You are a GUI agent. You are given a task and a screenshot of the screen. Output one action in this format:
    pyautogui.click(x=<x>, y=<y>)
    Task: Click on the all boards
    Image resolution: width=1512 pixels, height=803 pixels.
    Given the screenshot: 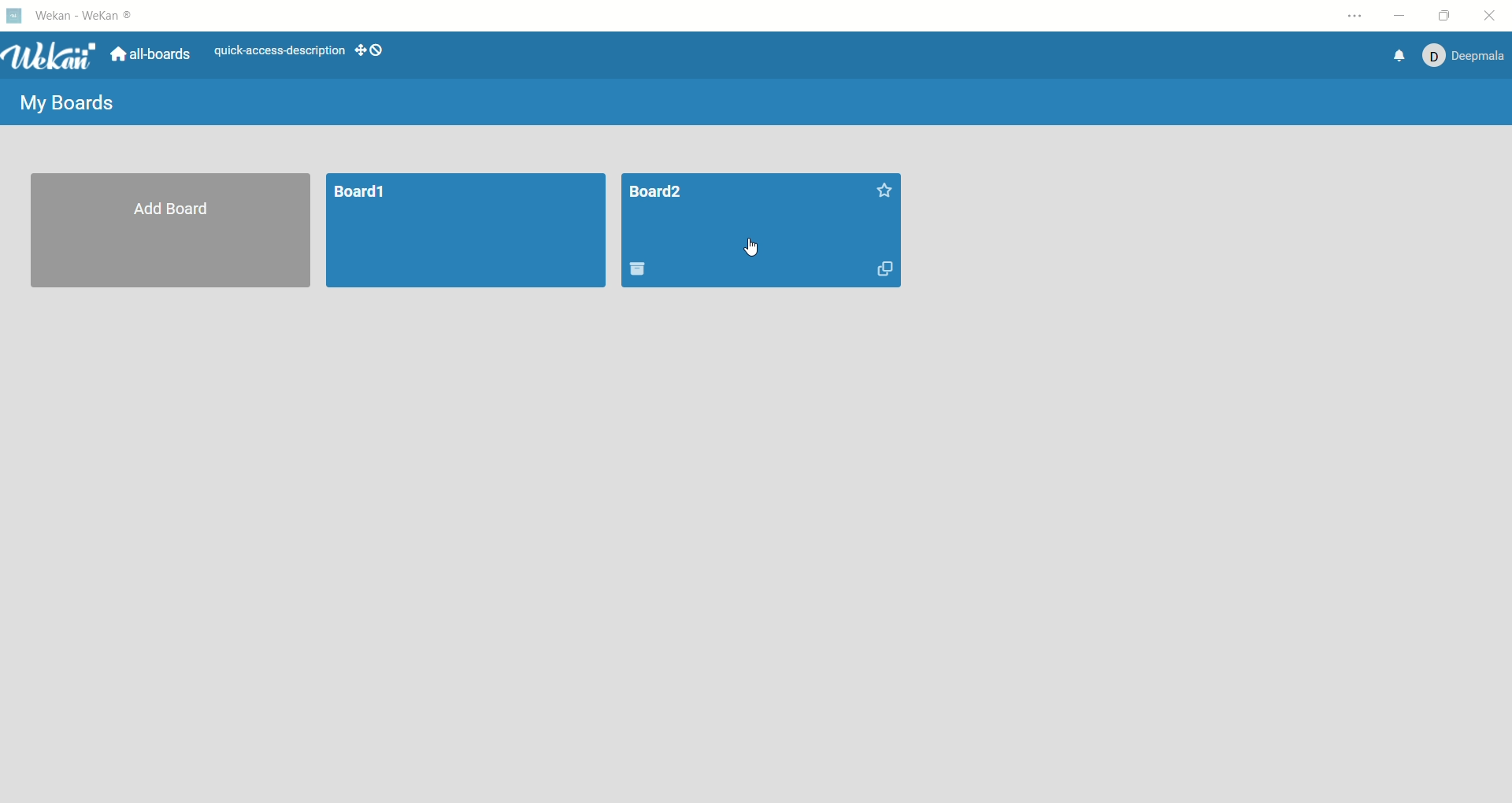 What is the action you would take?
    pyautogui.click(x=154, y=55)
    